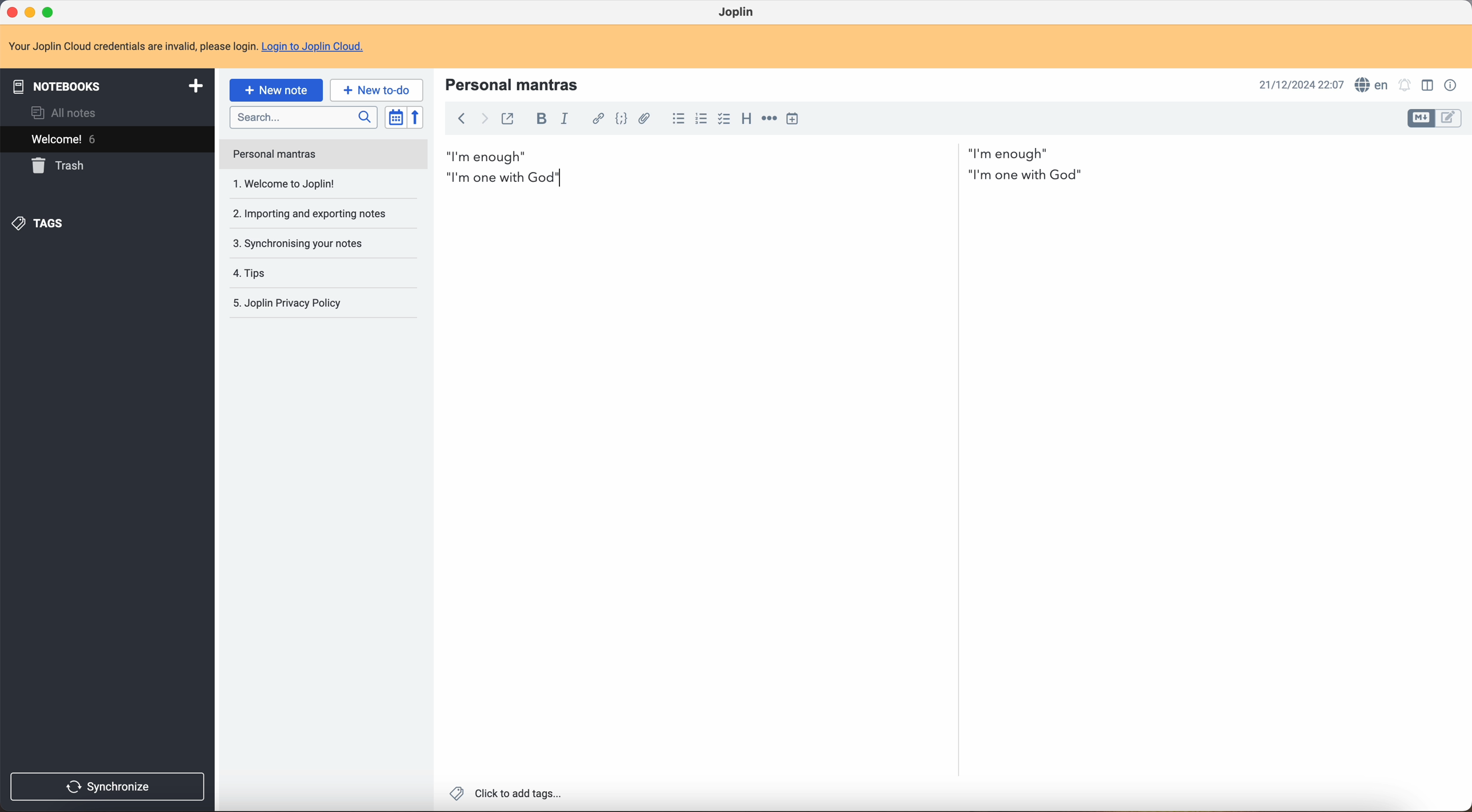 The height and width of the screenshot is (812, 1472). I want to click on horizontal rule, so click(770, 121).